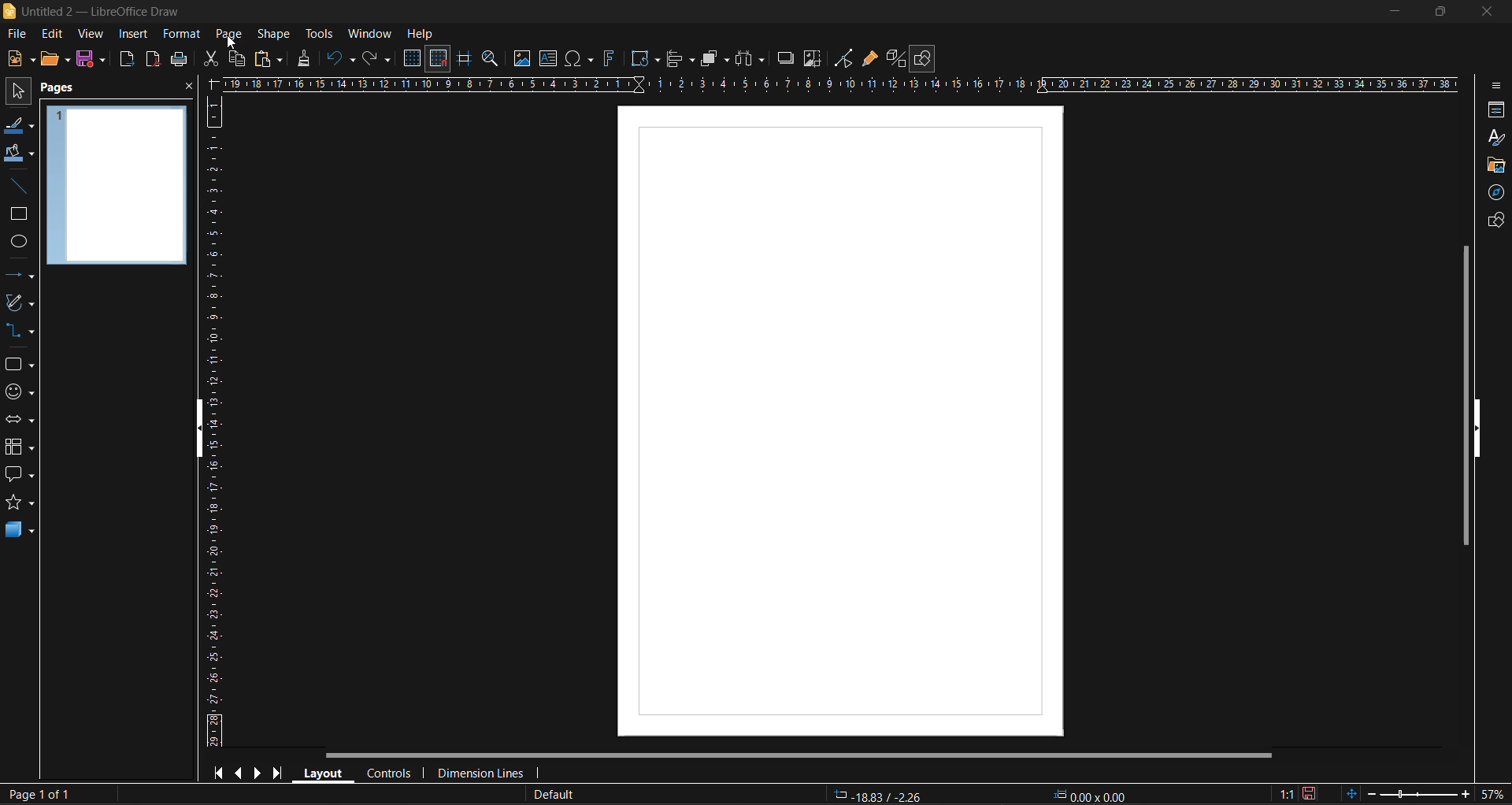 This screenshot has width=1512, height=805. Describe the element at coordinates (842, 421) in the screenshot. I see `working area` at that location.